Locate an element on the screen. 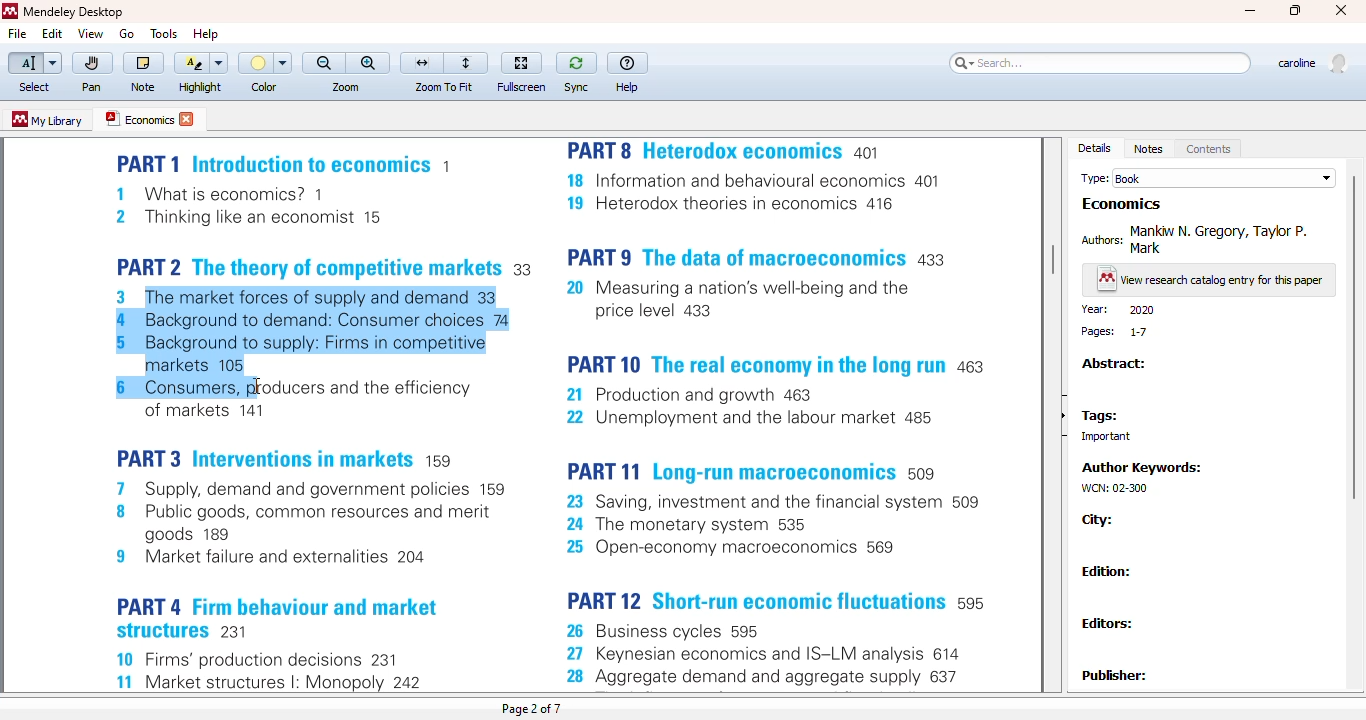 The height and width of the screenshot is (720, 1366). abstract:  is located at coordinates (1113, 364).